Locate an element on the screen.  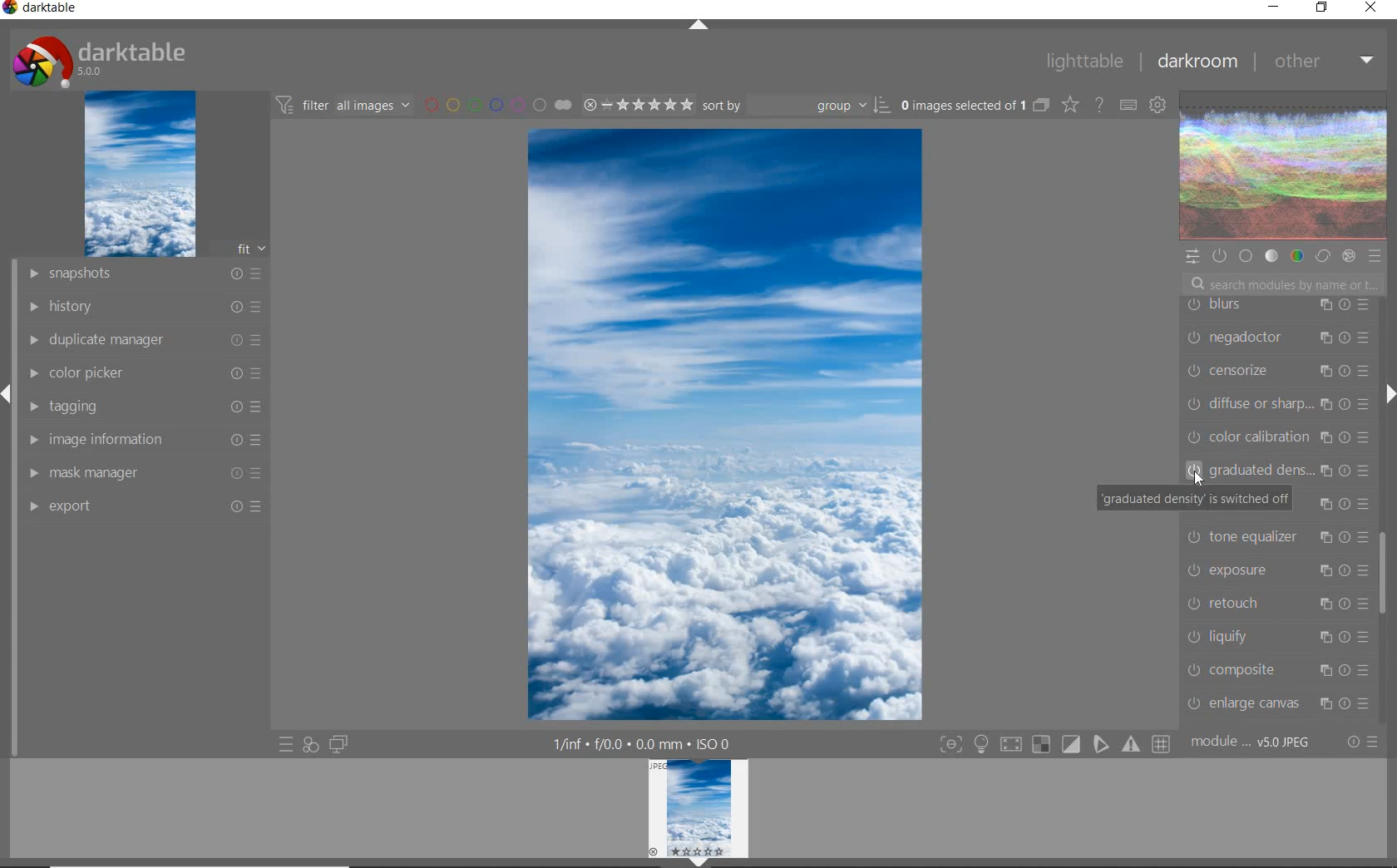
COLOR is located at coordinates (1296, 257).